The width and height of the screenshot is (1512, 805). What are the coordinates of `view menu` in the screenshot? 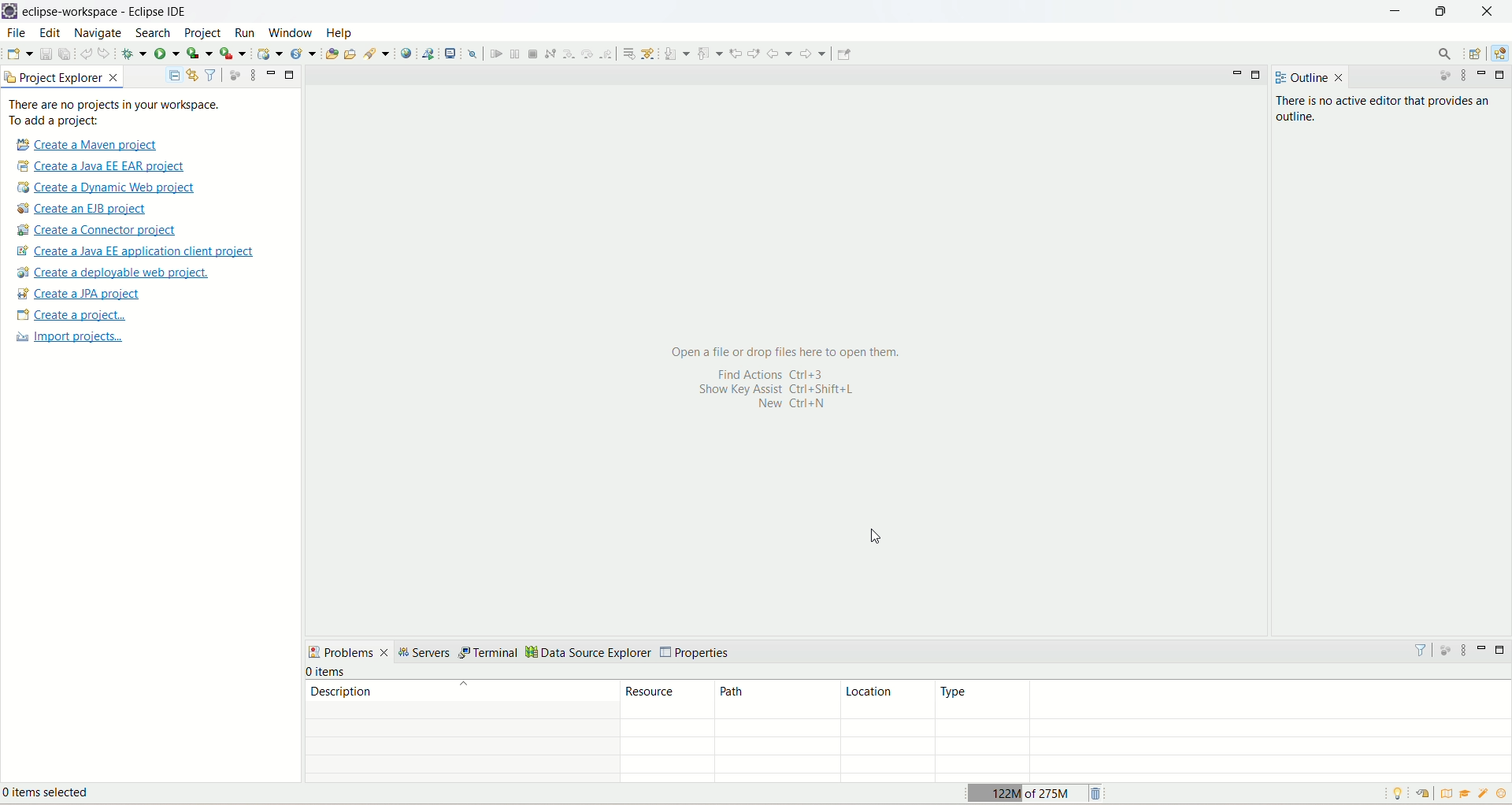 It's located at (249, 76).